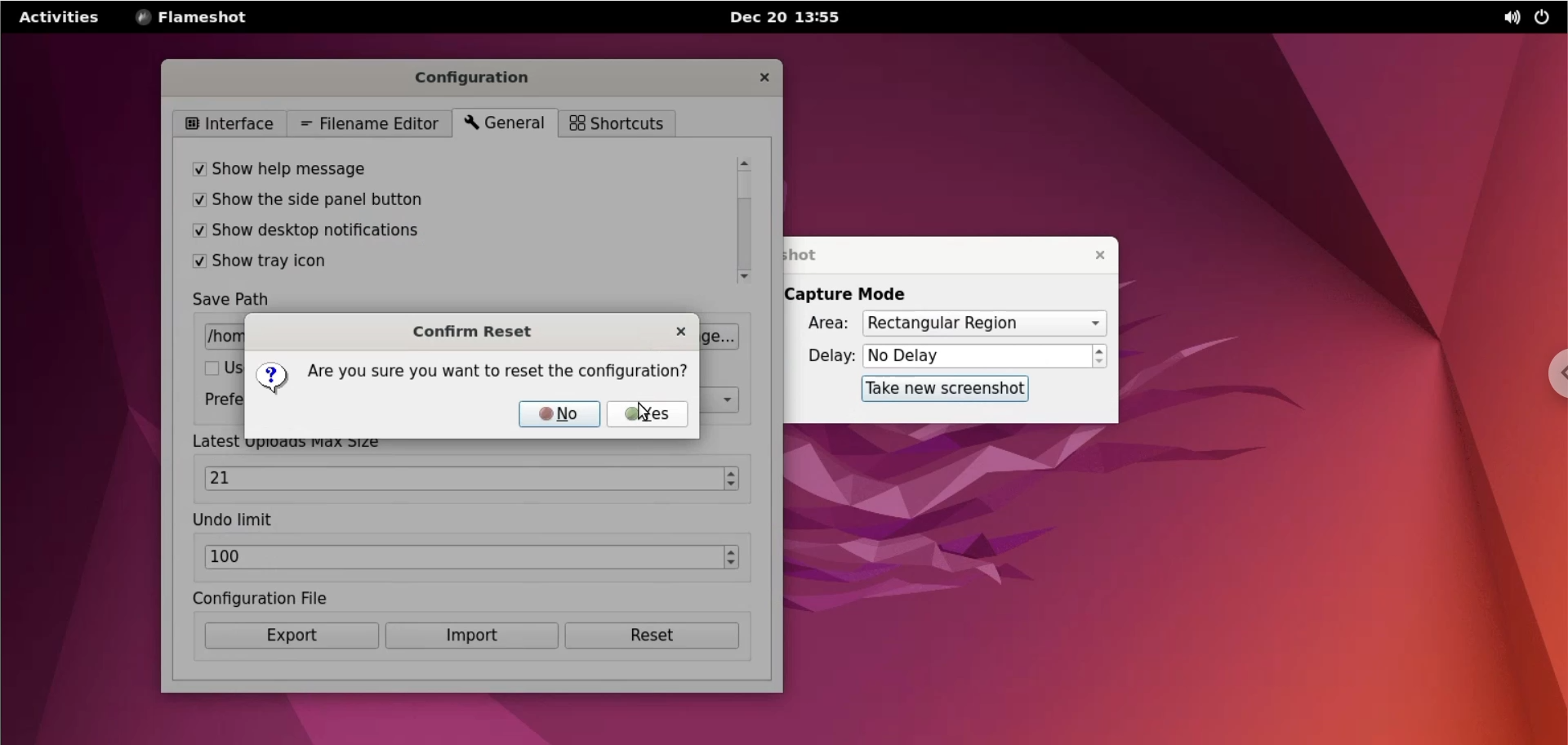 Image resolution: width=1568 pixels, height=745 pixels. Describe the element at coordinates (1553, 372) in the screenshot. I see `chrome options` at that location.